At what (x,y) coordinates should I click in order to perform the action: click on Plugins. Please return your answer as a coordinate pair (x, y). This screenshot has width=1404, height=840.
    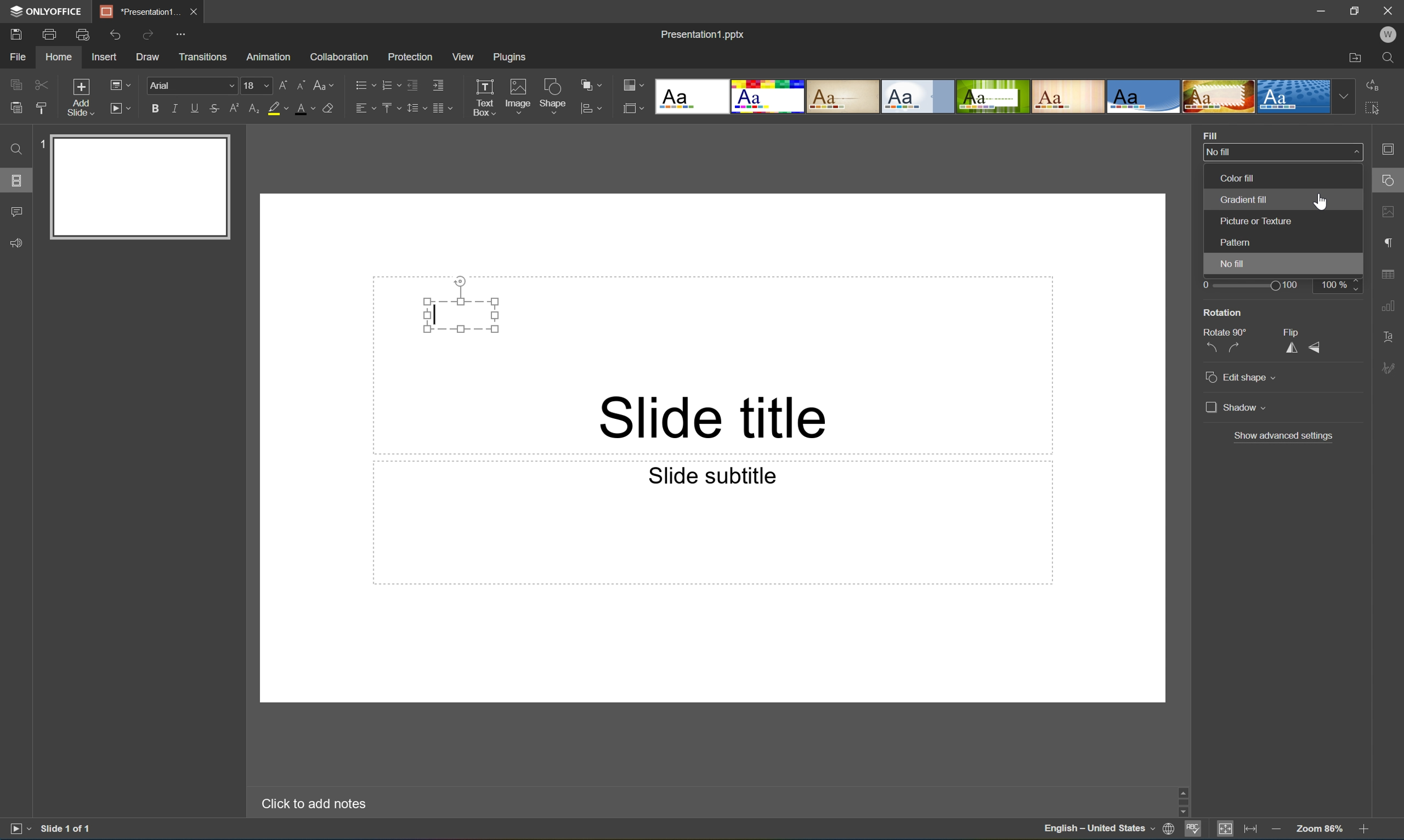
    Looking at the image, I should click on (512, 57).